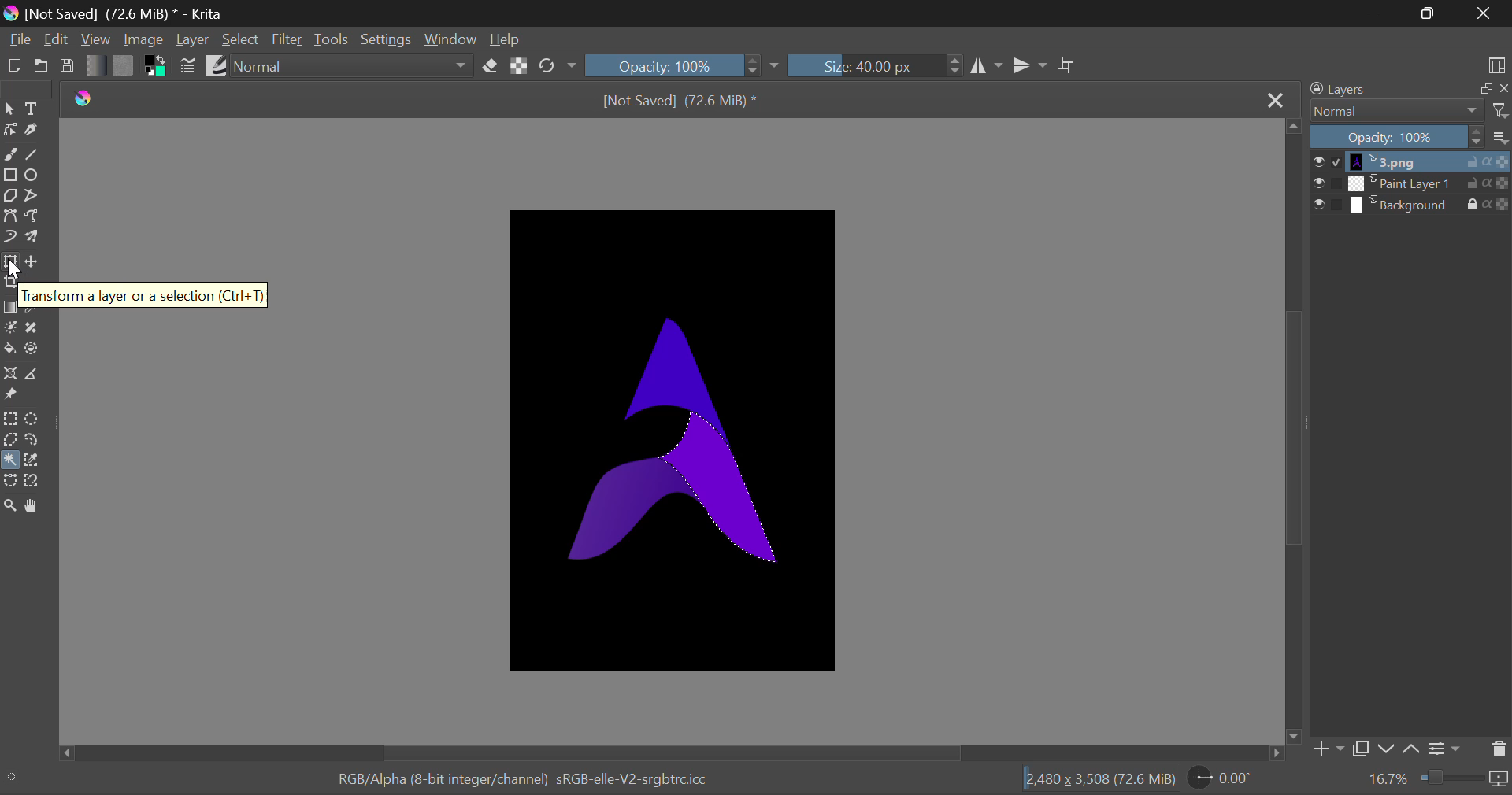 Image resolution: width=1512 pixels, height=795 pixels. What do you see at coordinates (1483, 89) in the screenshot?
I see `copy` at bounding box center [1483, 89].